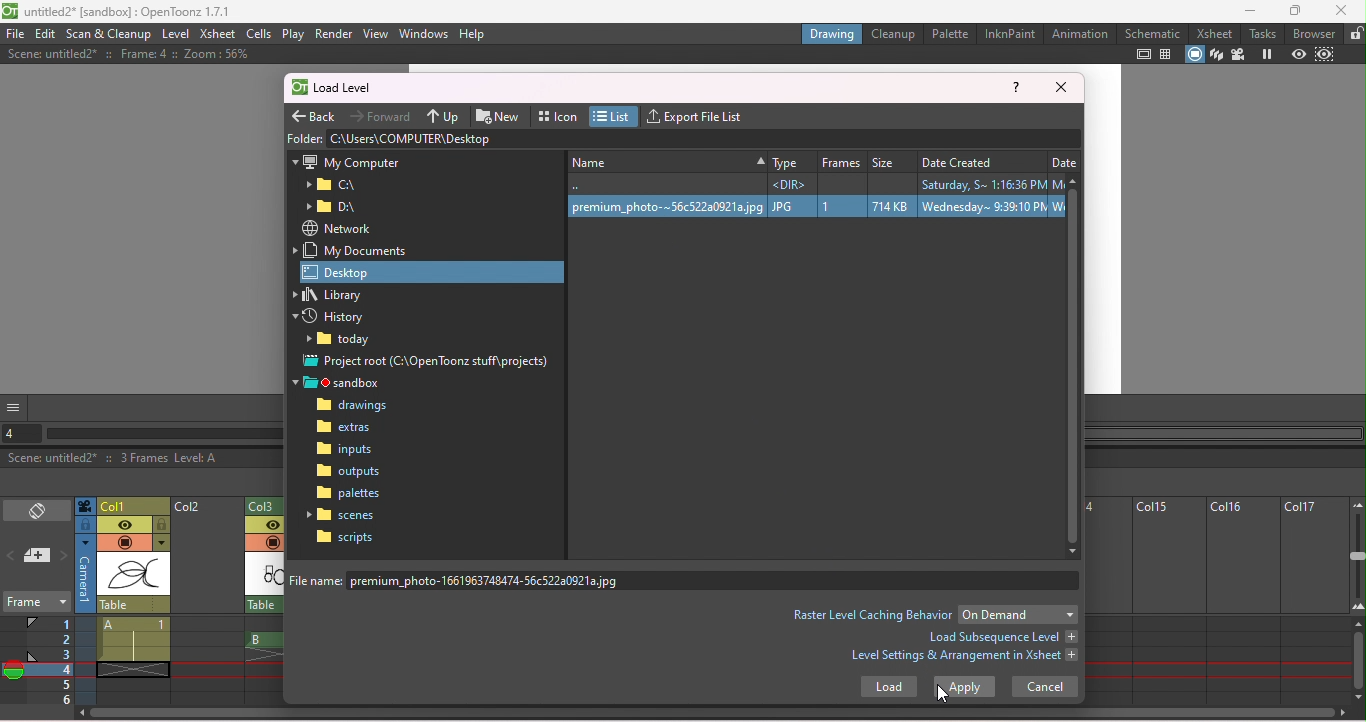  Describe the element at coordinates (1169, 54) in the screenshot. I see `Field guide` at that location.